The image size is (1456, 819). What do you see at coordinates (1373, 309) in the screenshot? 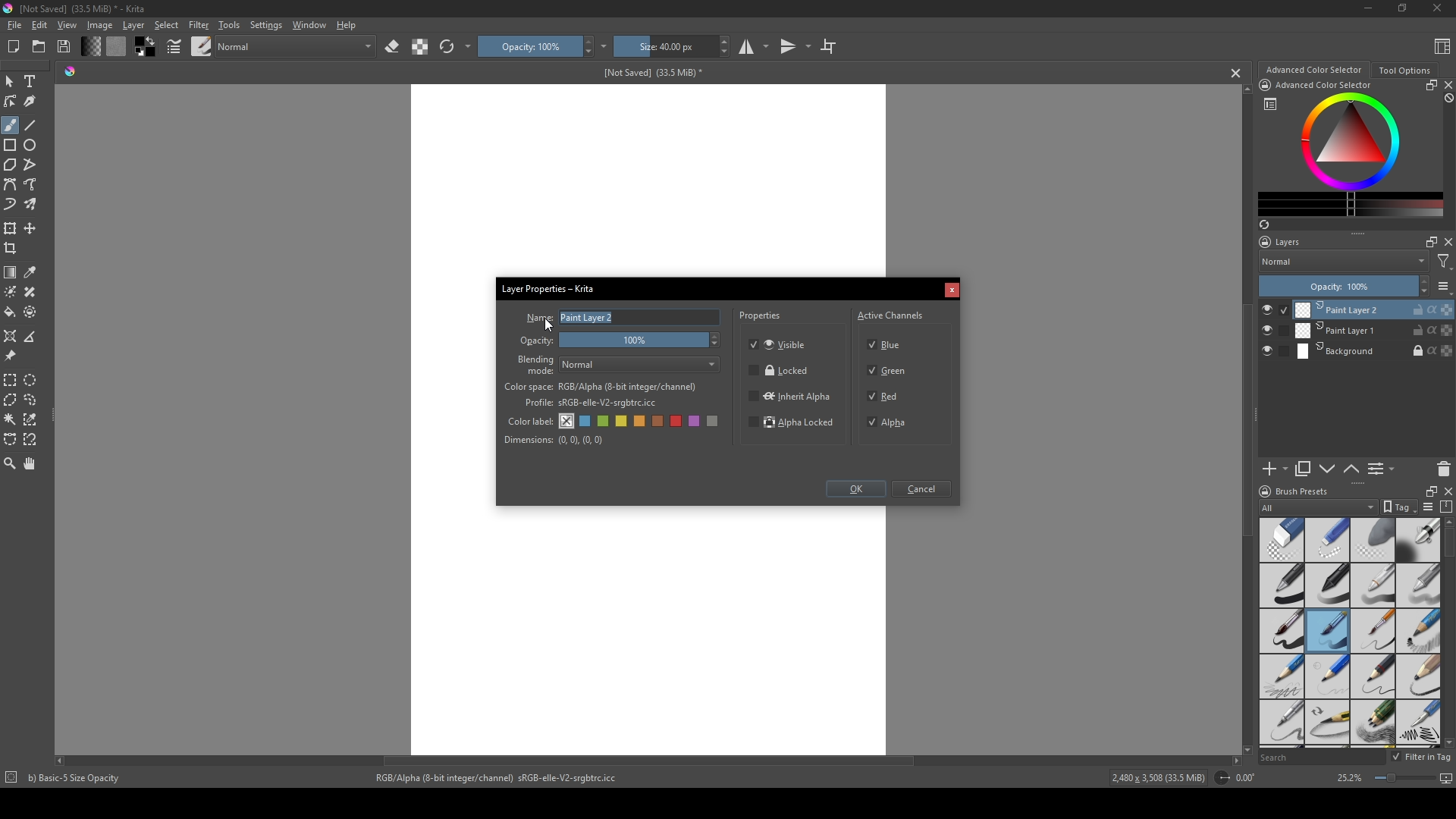
I see `Print Layer 2` at bounding box center [1373, 309].